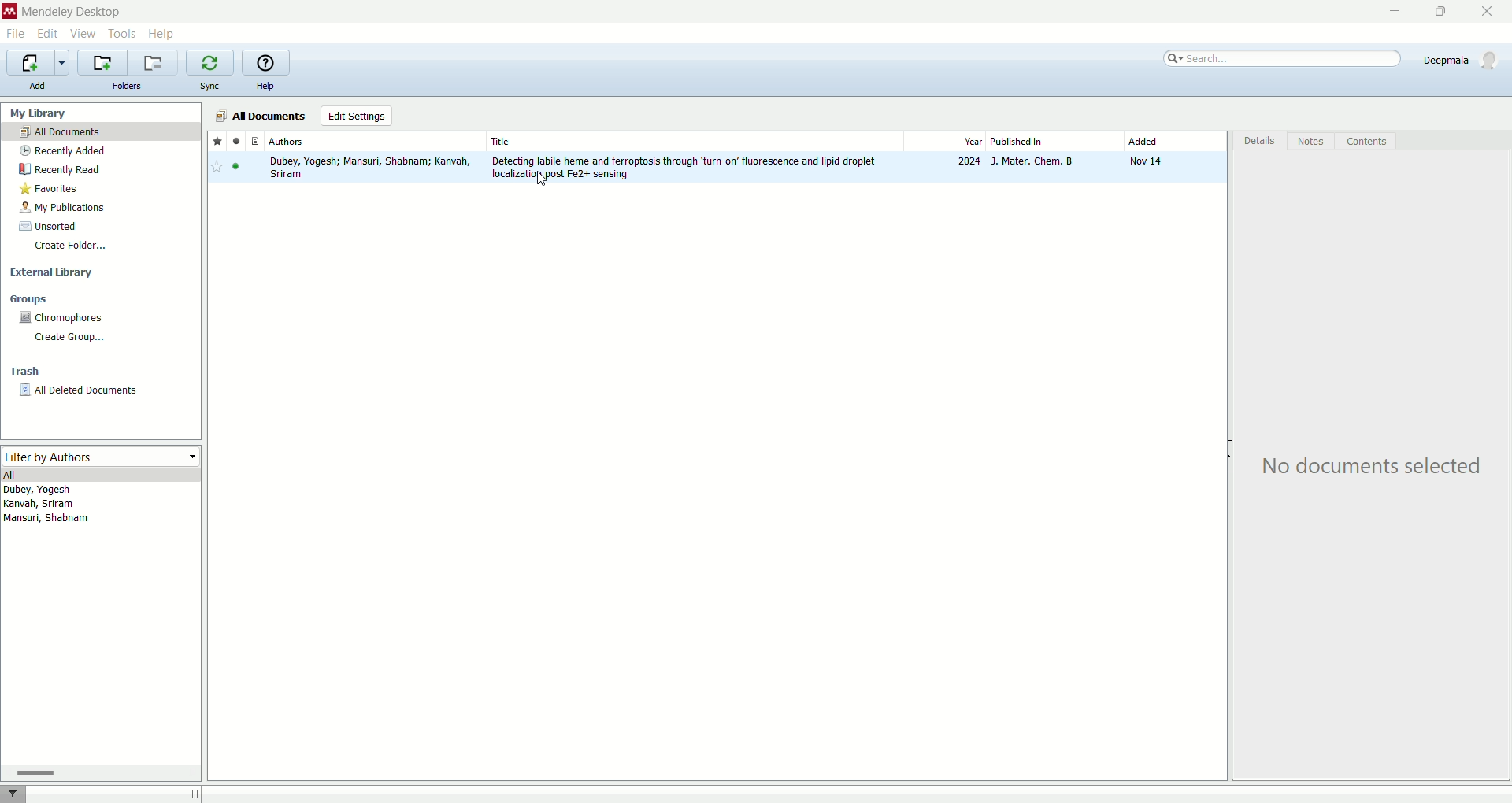 The image size is (1512, 803). I want to click on synchronize library with mendeley web, so click(209, 63).